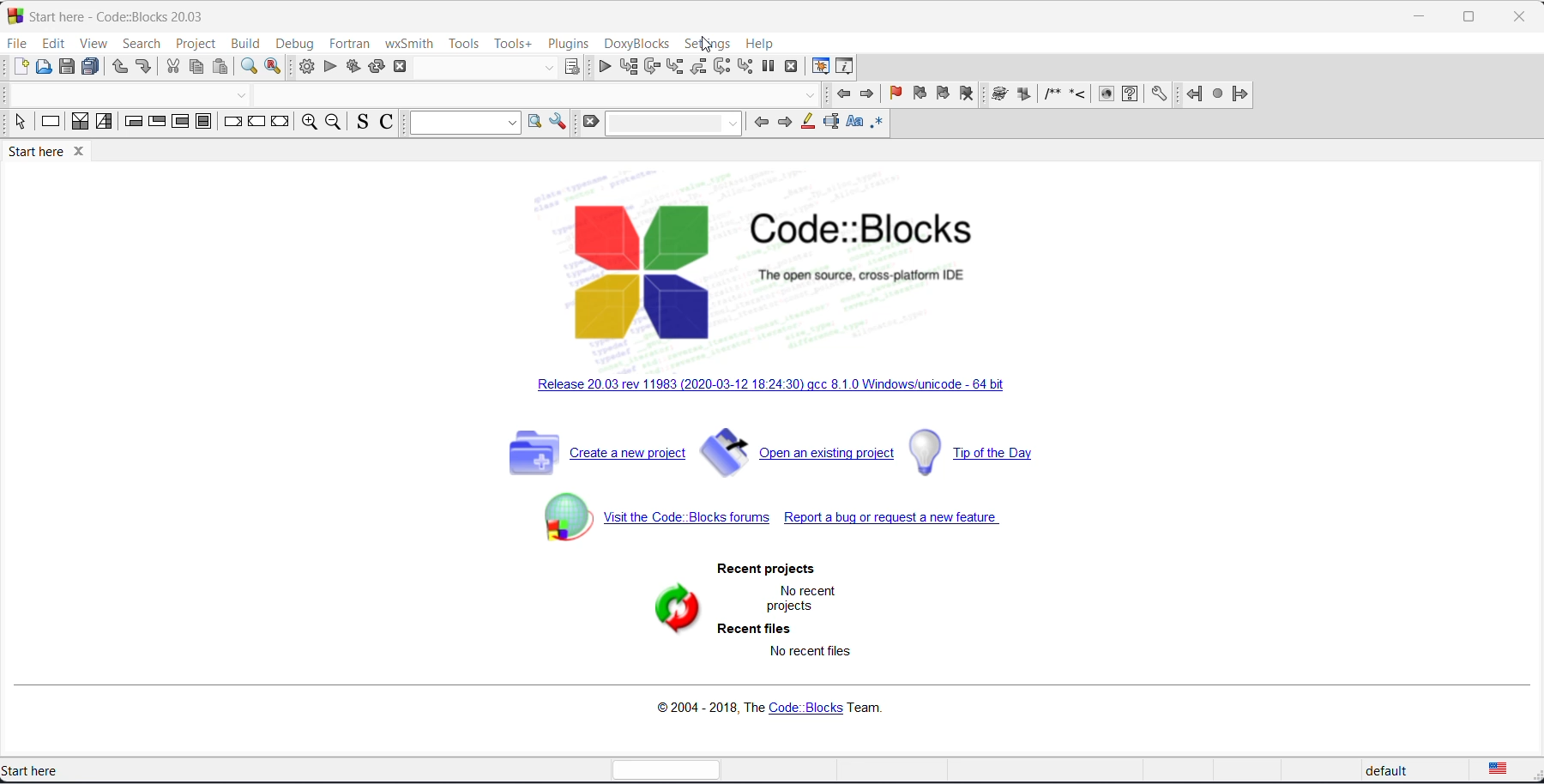 This screenshot has width=1544, height=784. What do you see at coordinates (654, 517) in the screenshot?
I see `visit code` at bounding box center [654, 517].